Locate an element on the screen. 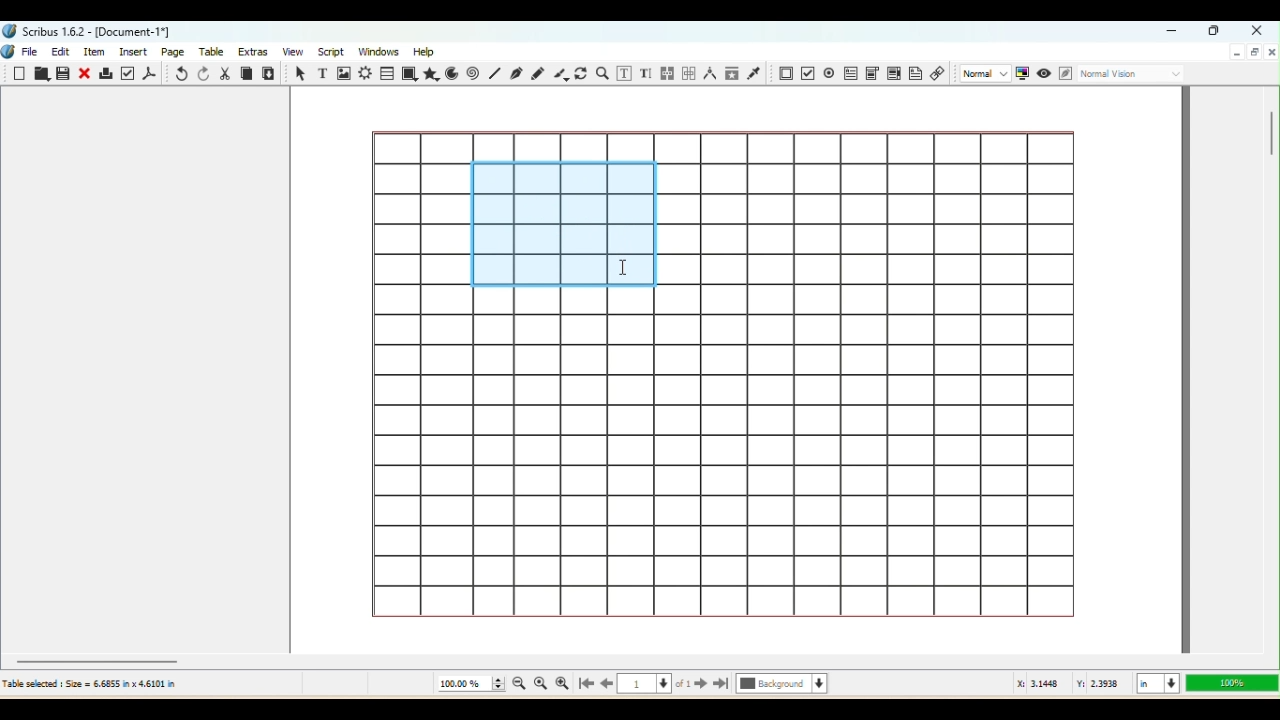  Shape tool is located at coordinates (410, 74).